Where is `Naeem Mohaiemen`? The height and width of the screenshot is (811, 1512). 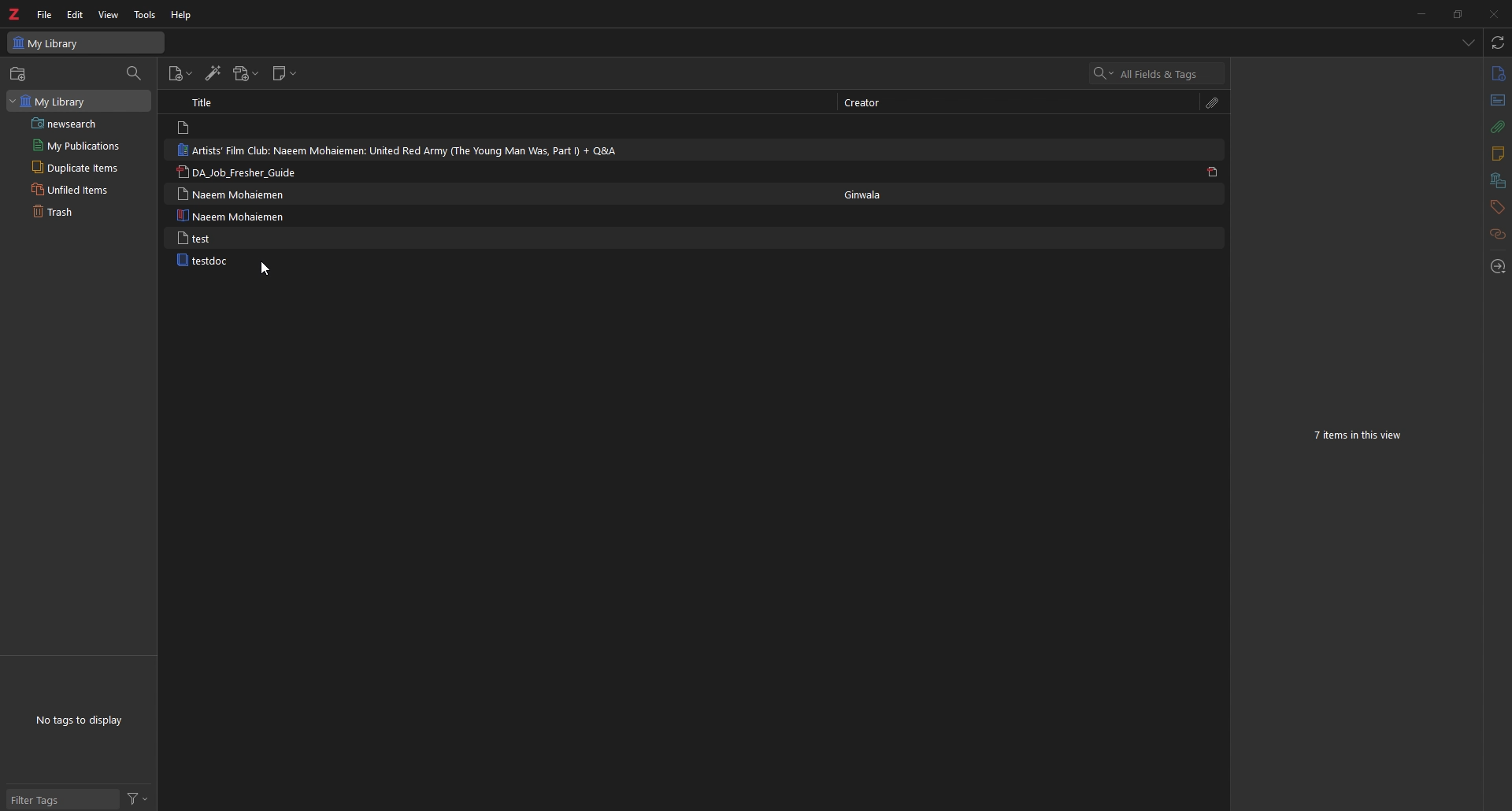
Naeem Mohaiemen is located at coordinates (238, 194).